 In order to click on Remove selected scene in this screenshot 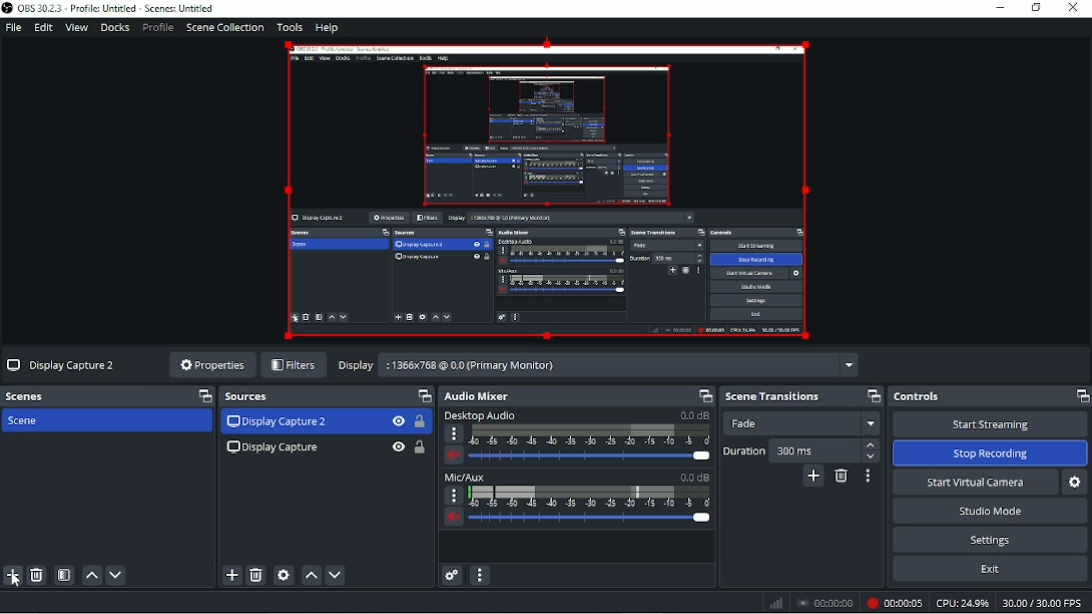, I will do `click(37, 575)`.